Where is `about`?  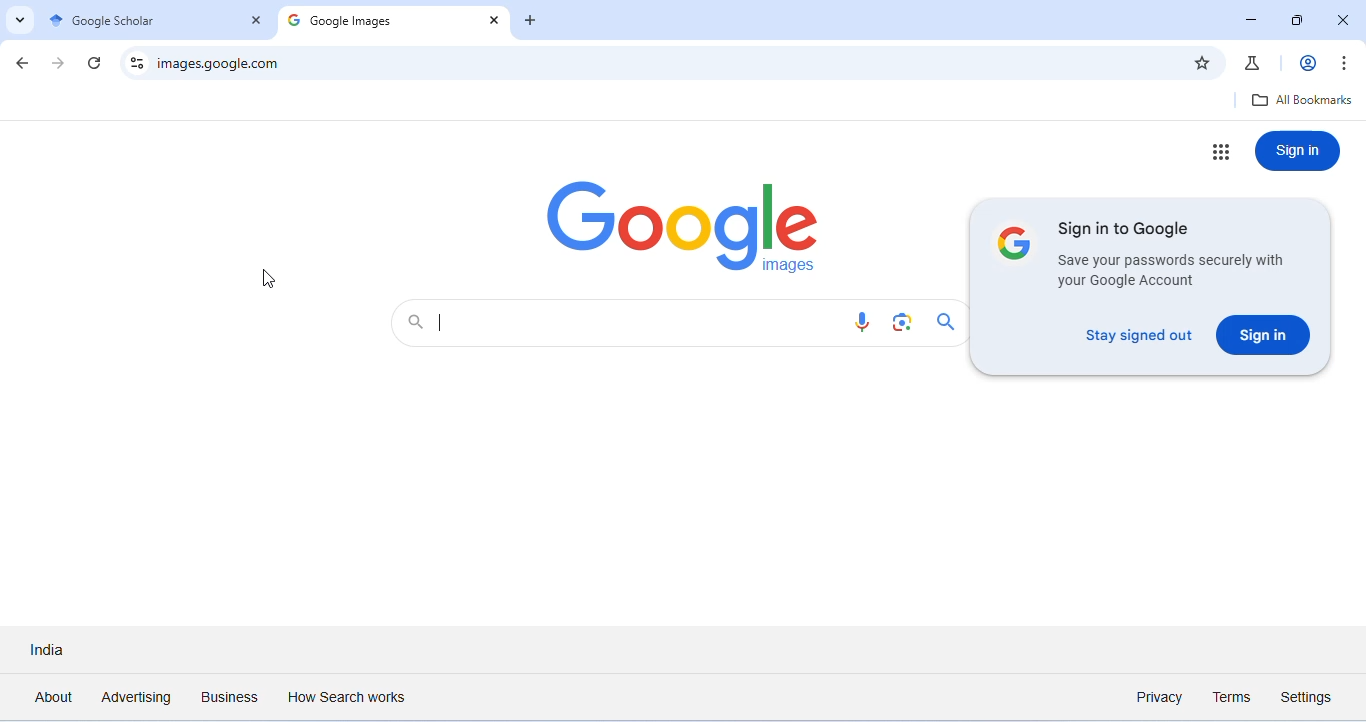
about is located at coordinates (55, 698).